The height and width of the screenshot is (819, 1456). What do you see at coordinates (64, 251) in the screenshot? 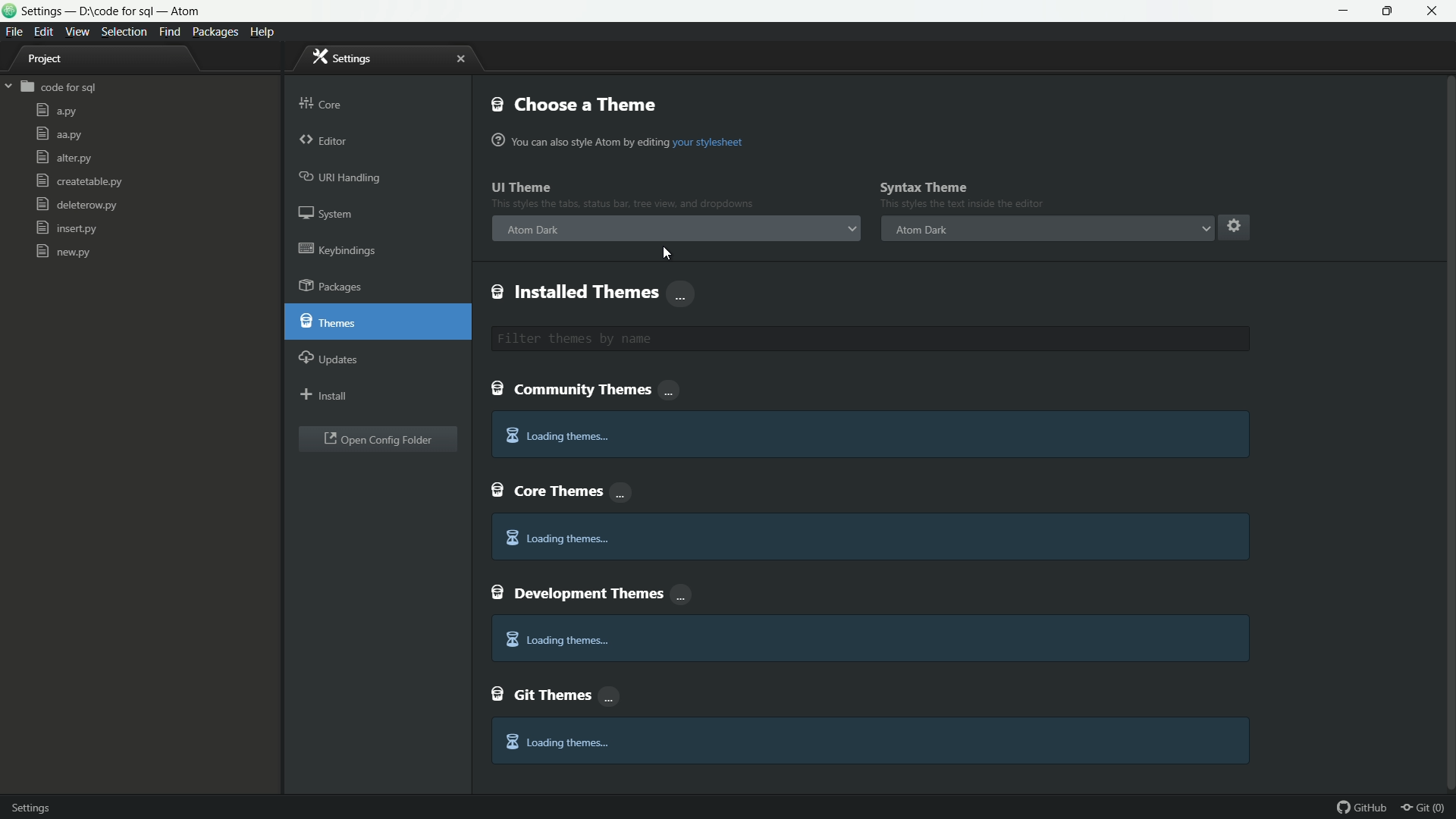
I see `new.py file` at bounding box center [64, 251].